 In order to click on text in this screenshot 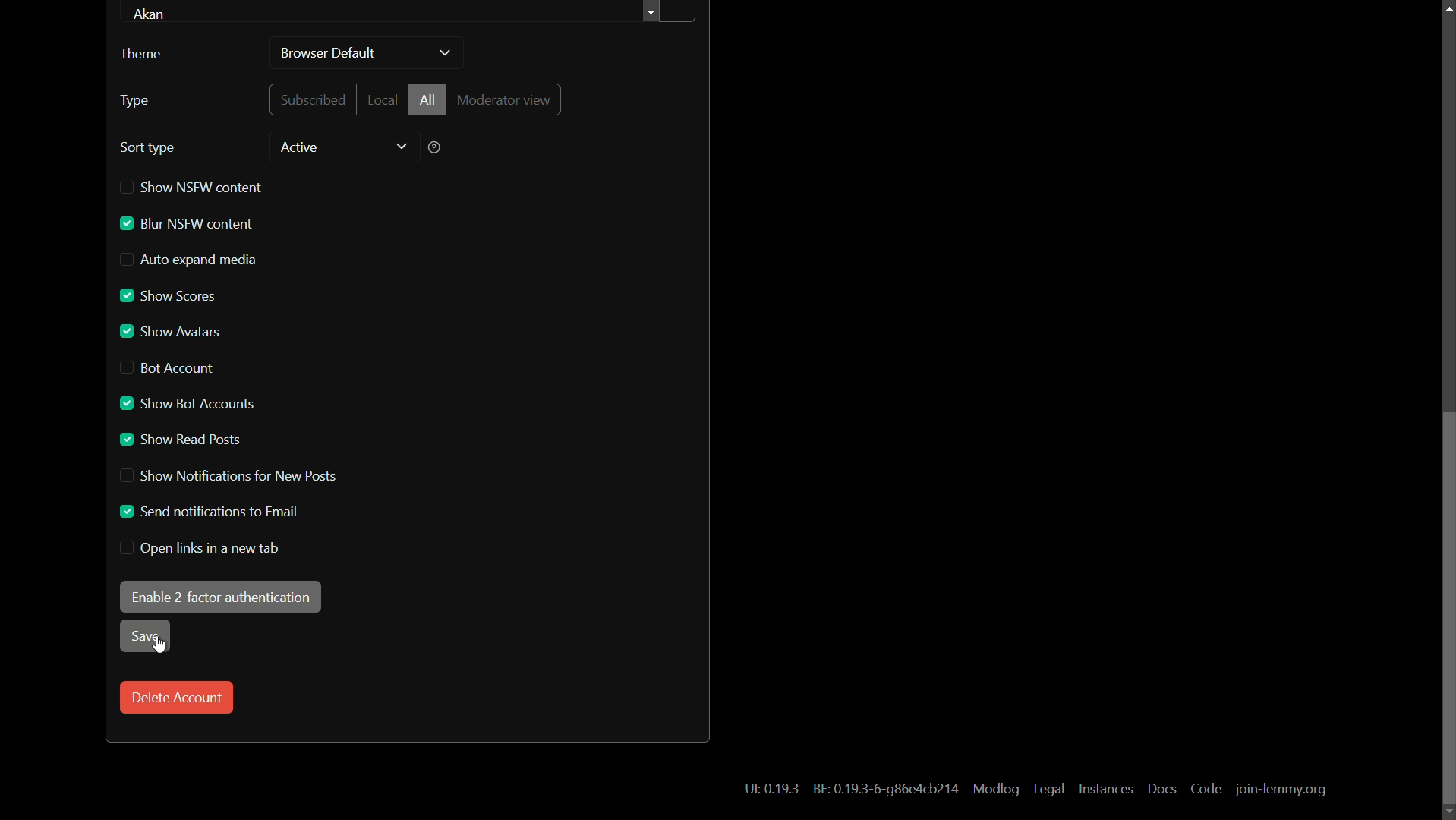, I will do `click(887, 790)`.